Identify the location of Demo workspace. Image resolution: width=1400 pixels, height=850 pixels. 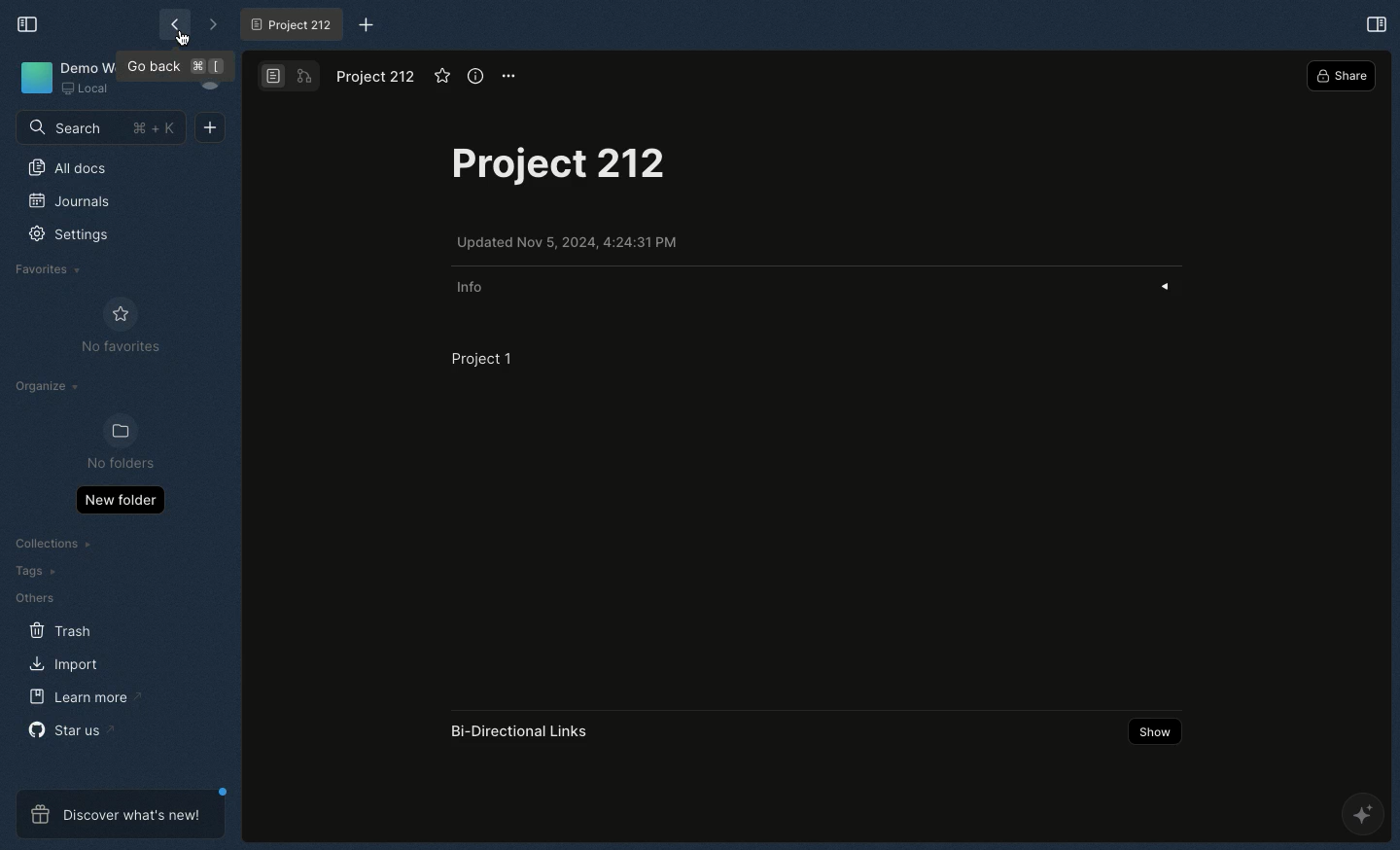
(89, 65).